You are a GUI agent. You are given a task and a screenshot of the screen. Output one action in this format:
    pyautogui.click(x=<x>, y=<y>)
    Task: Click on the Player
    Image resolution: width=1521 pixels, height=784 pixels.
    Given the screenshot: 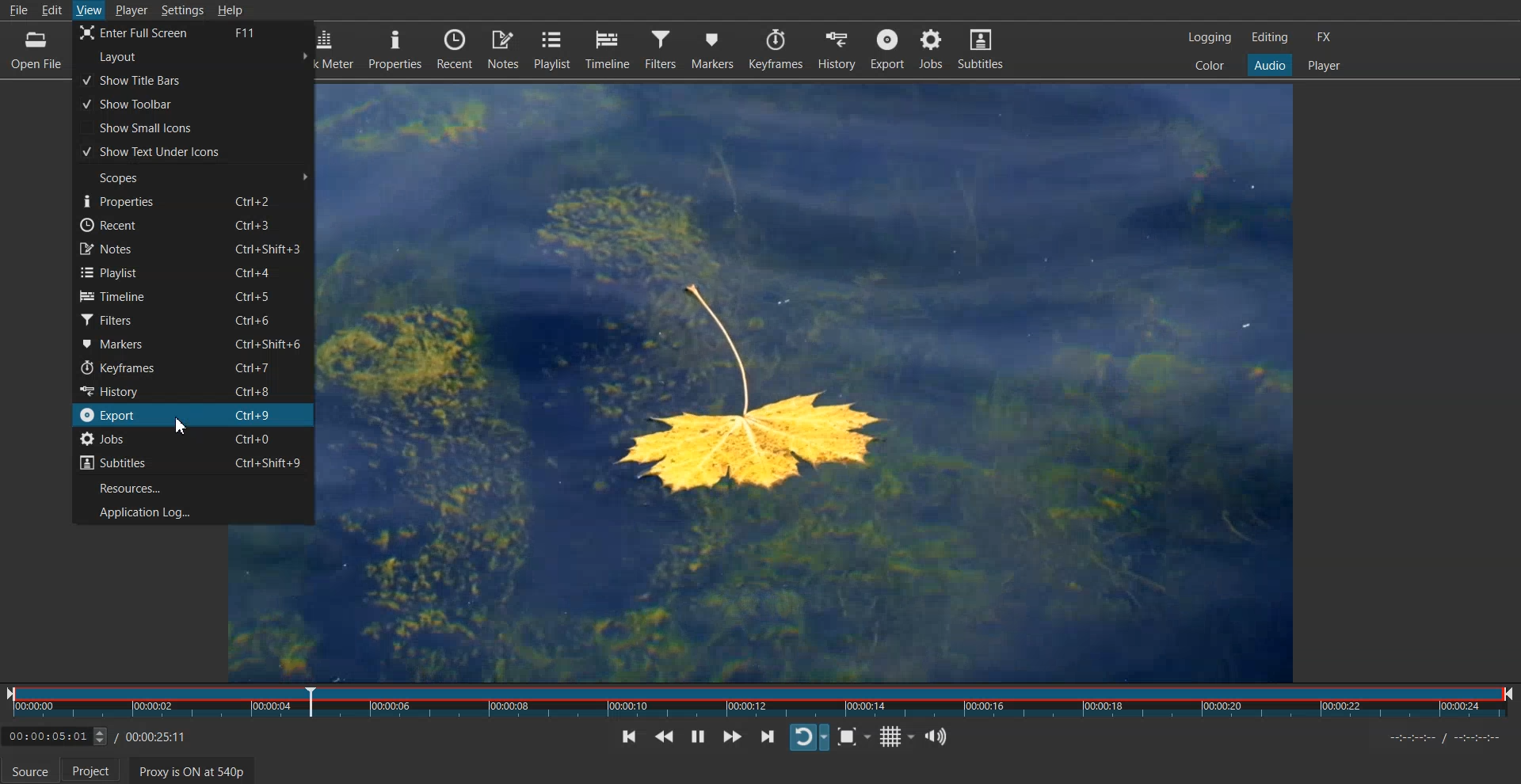 What is the action you would take?
    pyautogui.click(x=1324, y=66)
    